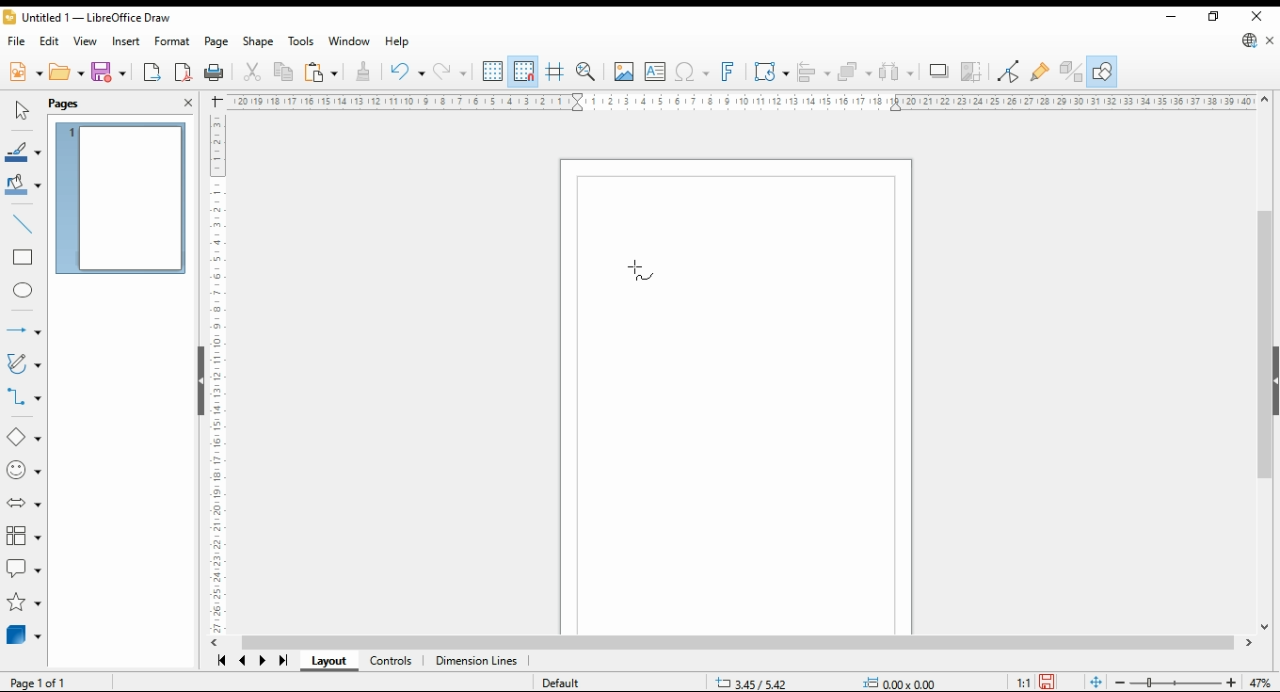  Describe the element at coordinates (18, 41) in the screenshot. I see `file` at that location.